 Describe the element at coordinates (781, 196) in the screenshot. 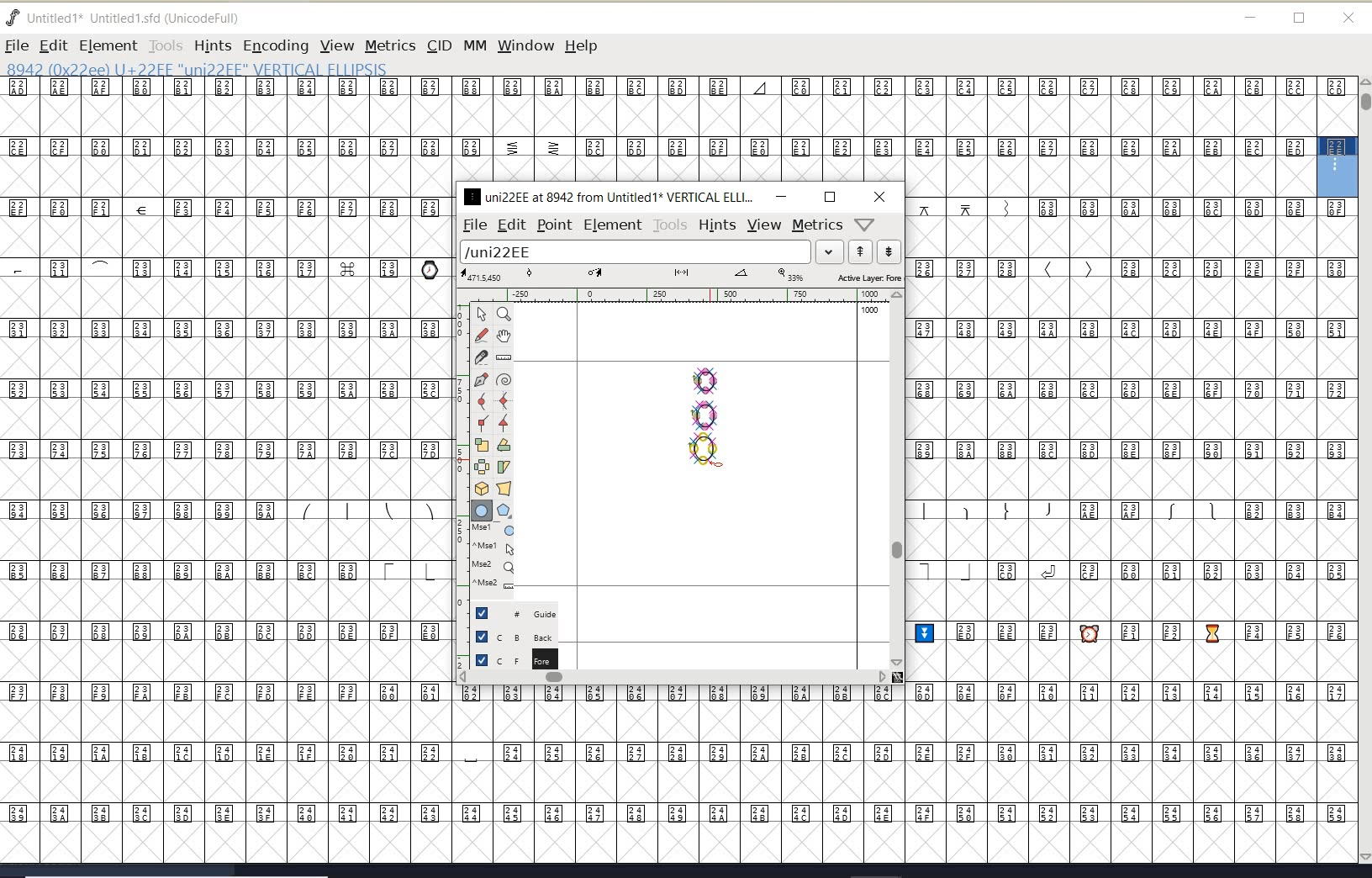

I see `minimize` at that location.